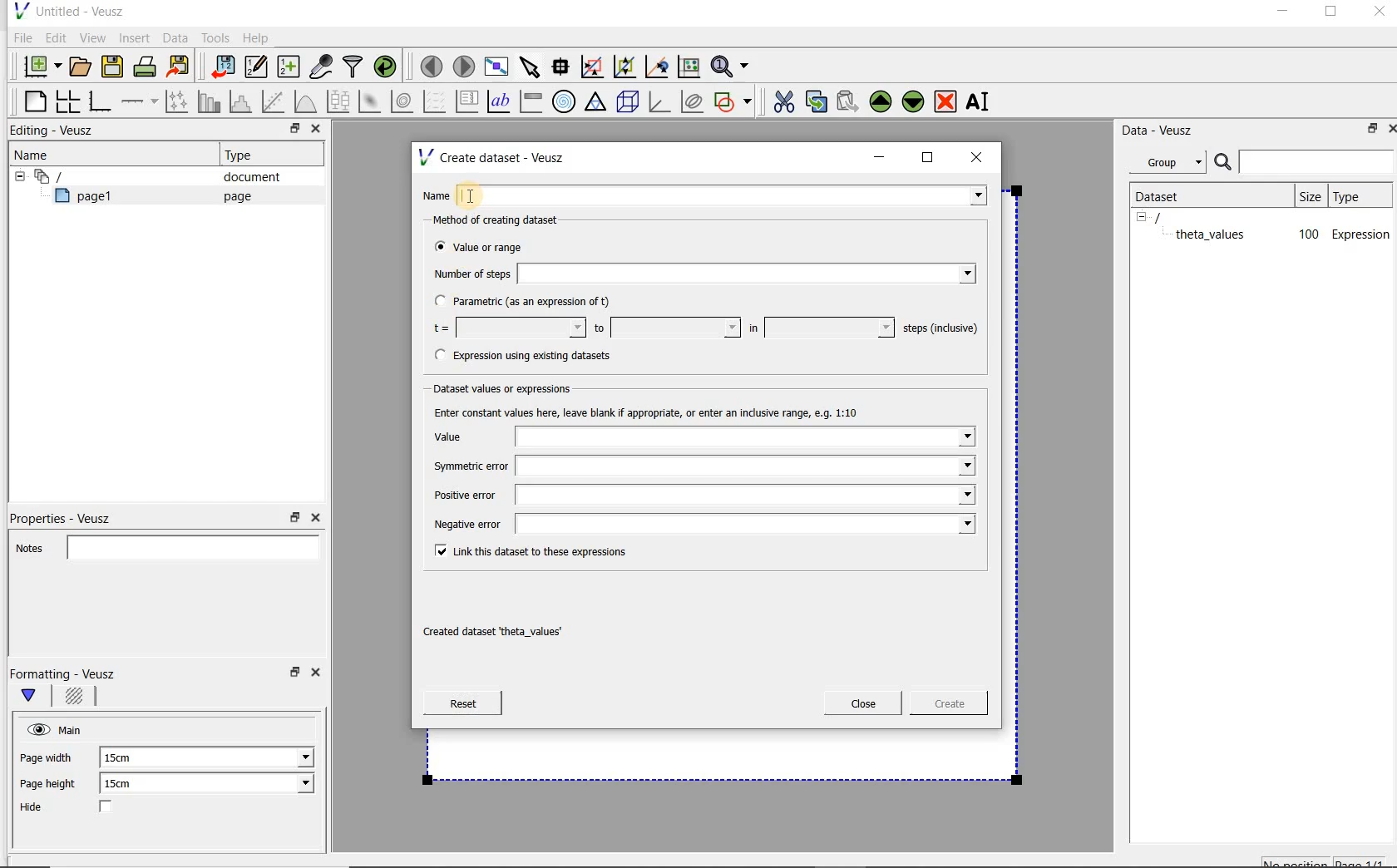 This screenshot has height=868, width=1397. I want to click on plot key, so click(468, 101).